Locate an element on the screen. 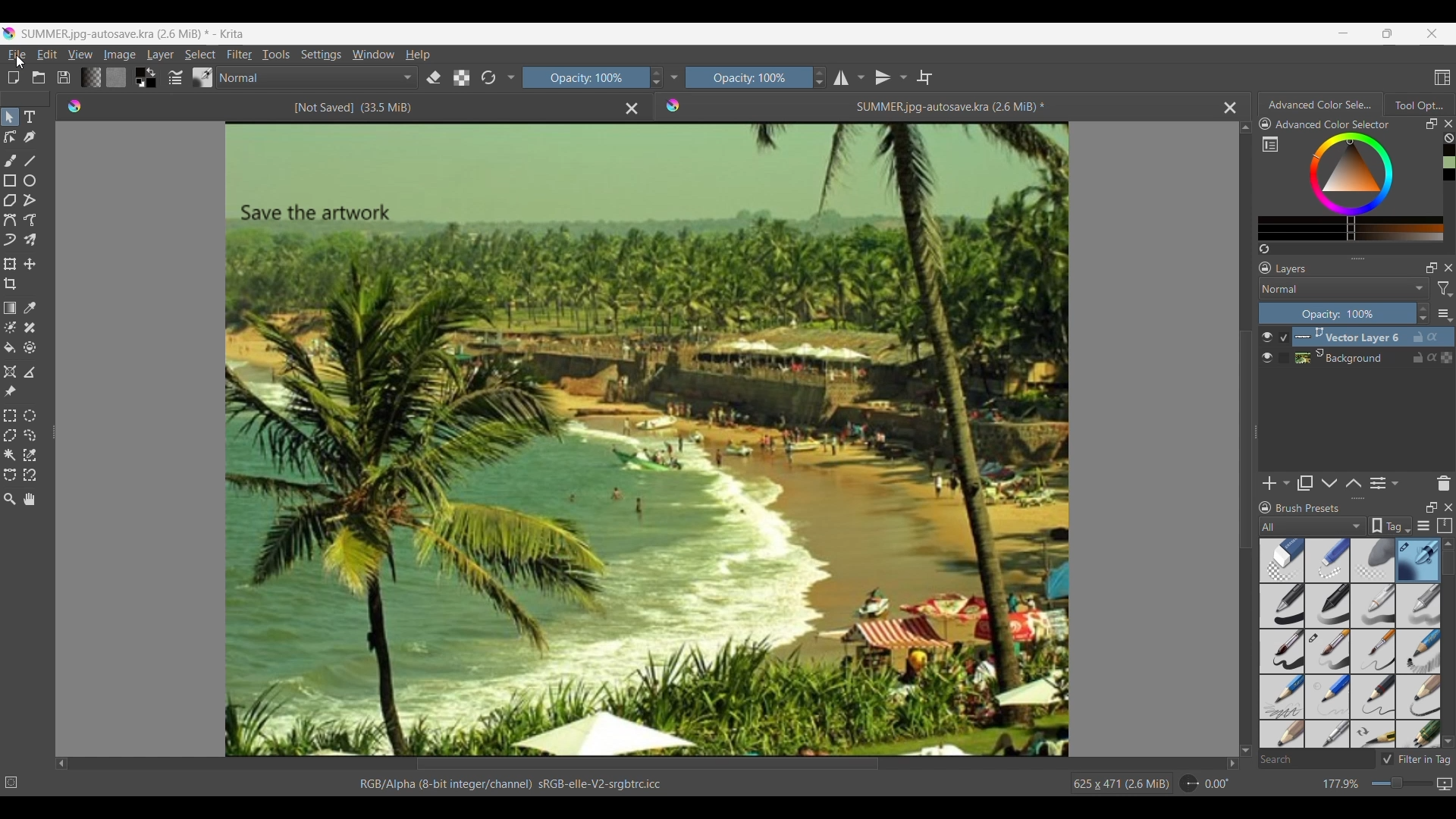  Move layer/mask up is located at coordinates (1353, 483).